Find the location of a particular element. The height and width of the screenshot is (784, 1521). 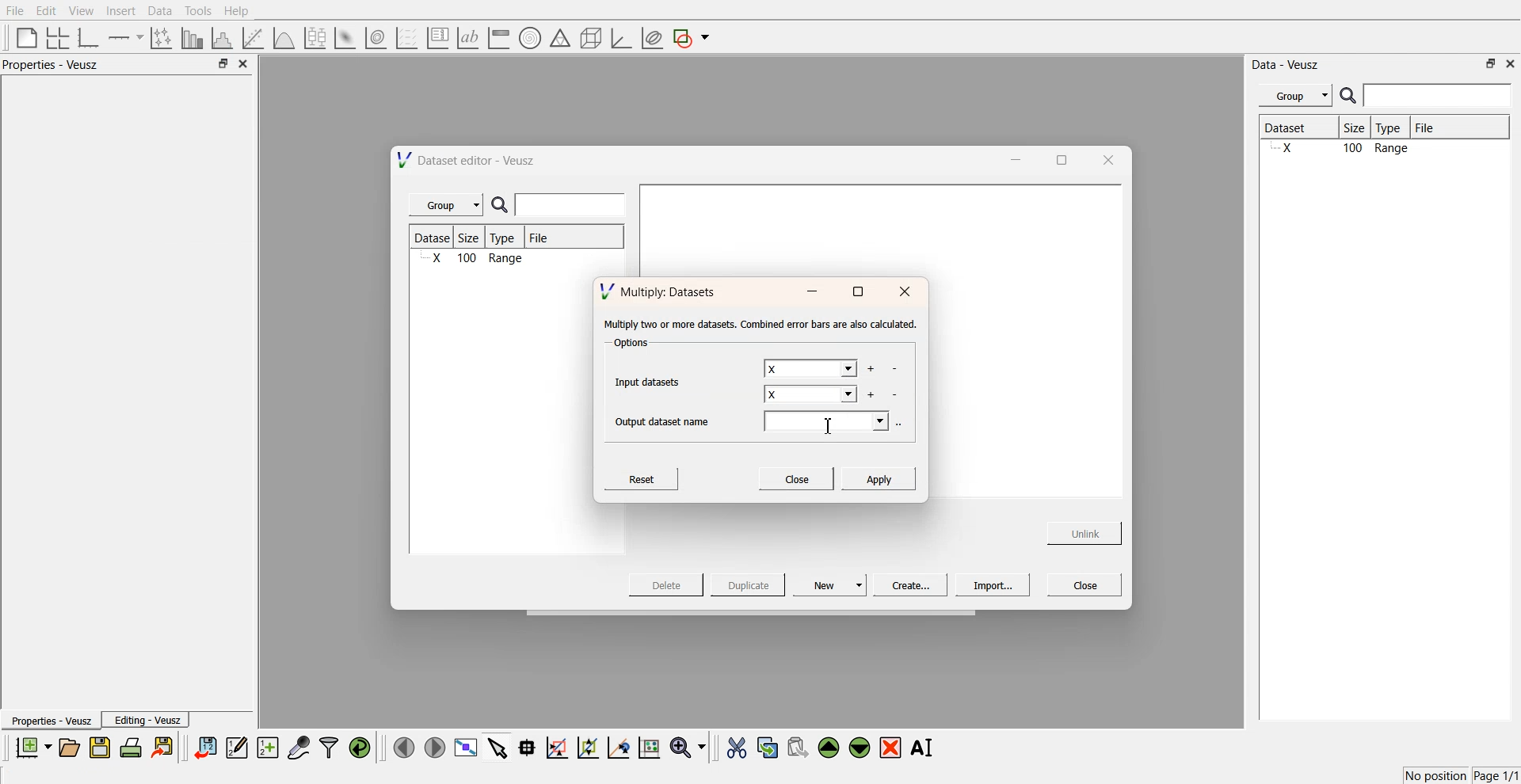

Type is located at coordinates (1393, 128).